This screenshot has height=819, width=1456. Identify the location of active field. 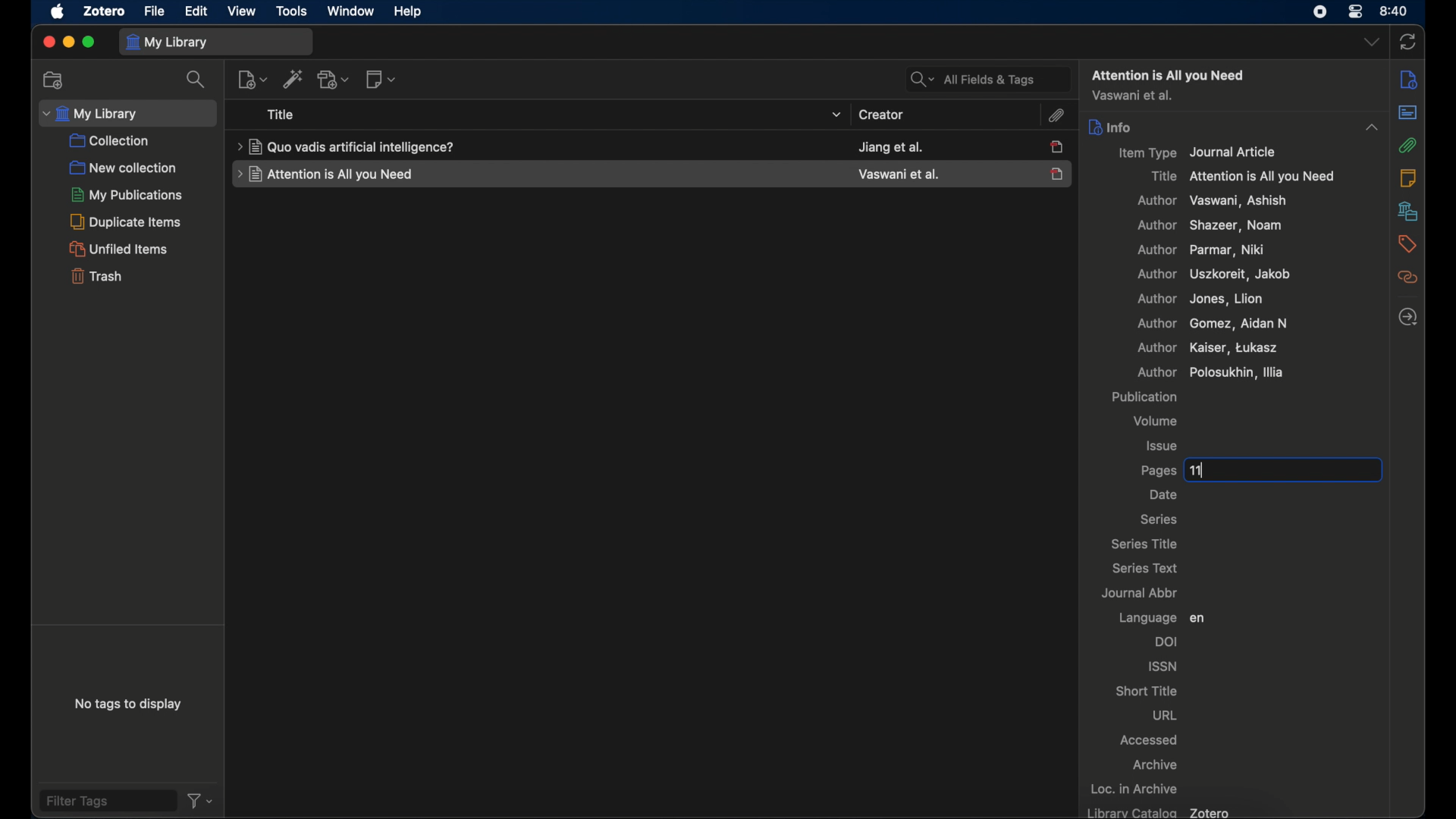
(1258, 471).